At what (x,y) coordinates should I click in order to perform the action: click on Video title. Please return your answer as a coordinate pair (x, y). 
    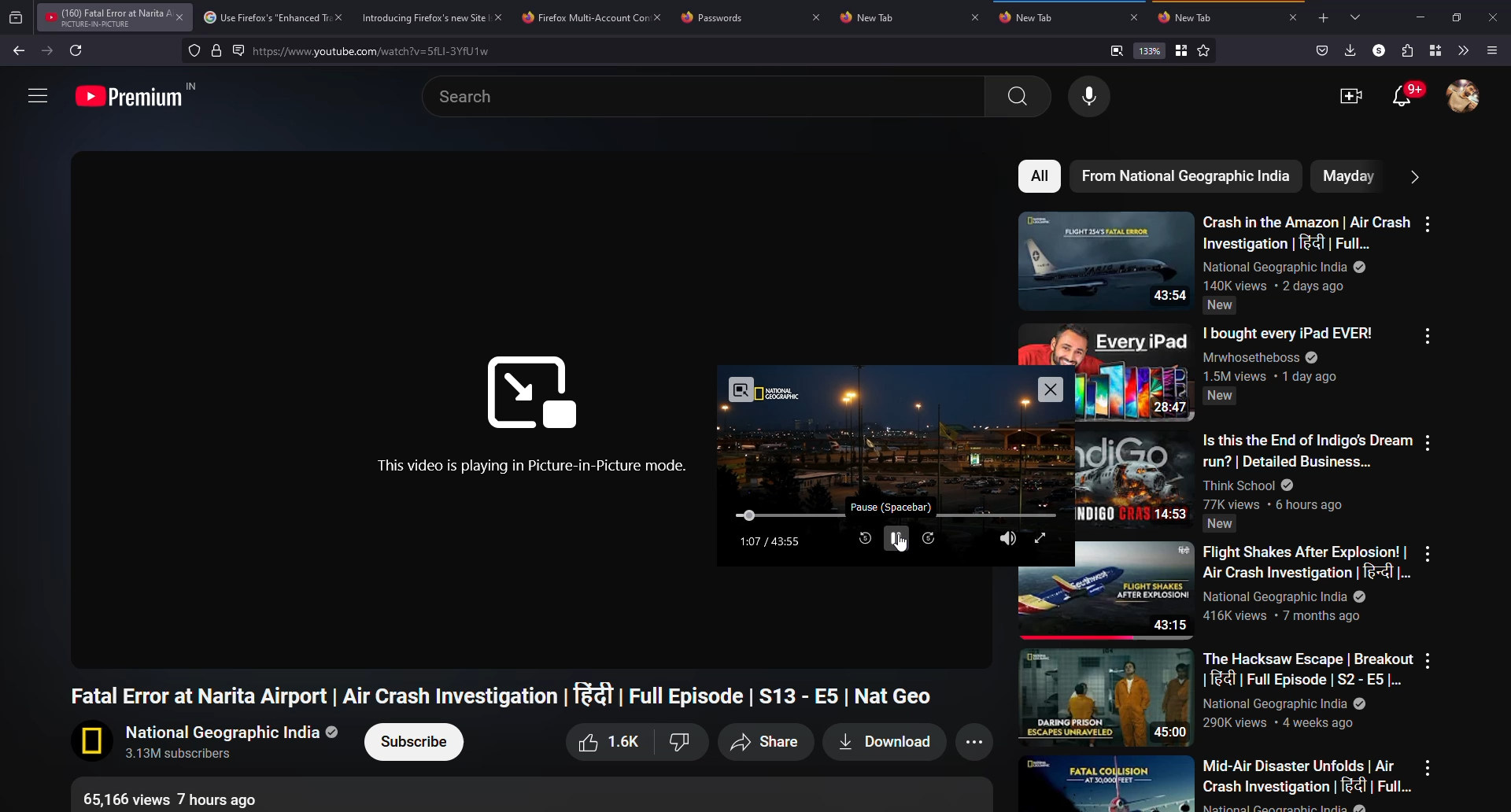
    Looking at the image, I should click on (508, 695).